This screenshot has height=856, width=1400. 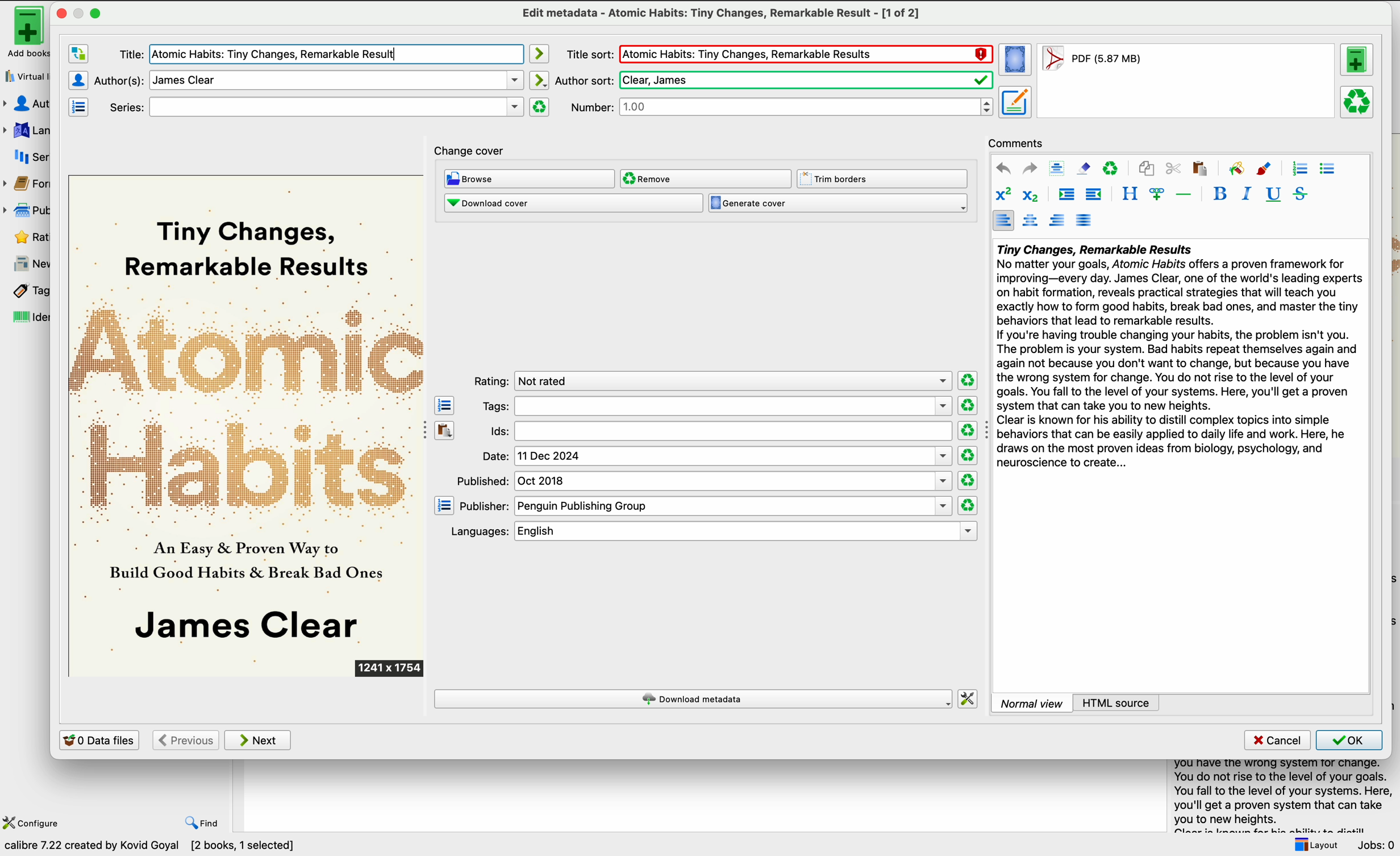 I want to click on edit metadata, so click(x=719, y=14).